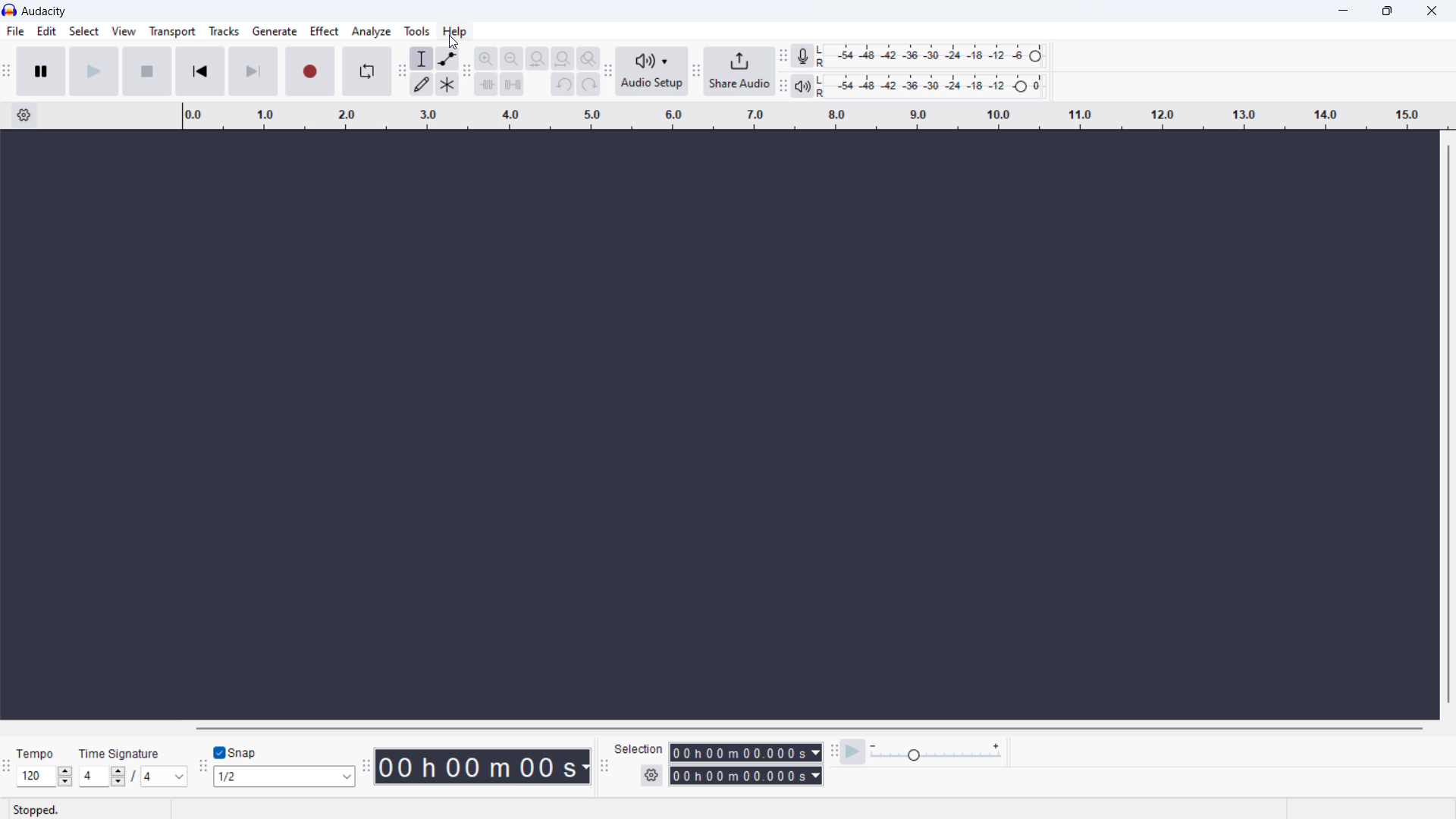 The height and width of the screenshot is (819, 1456). I want to click on fit selection to width, so click(537, 58).